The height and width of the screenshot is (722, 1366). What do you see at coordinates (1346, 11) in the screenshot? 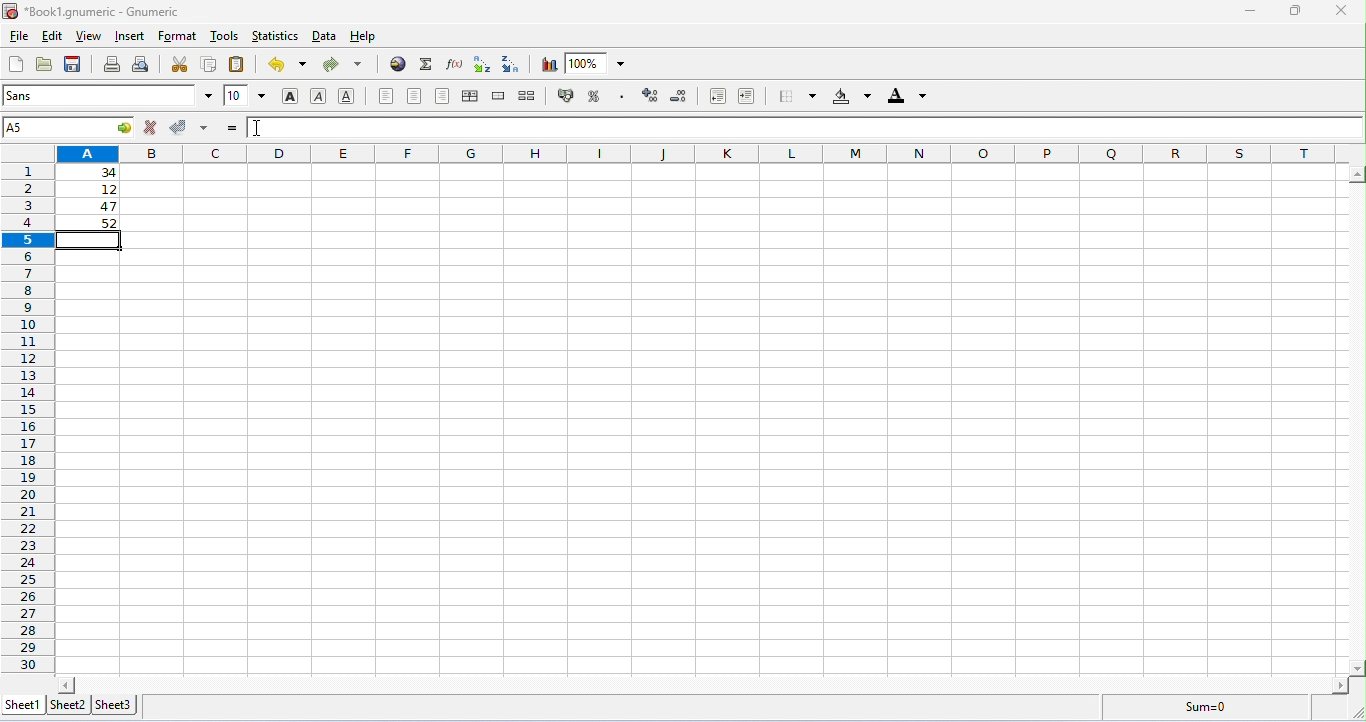
I see `close` at bounding box center [1346, 11].